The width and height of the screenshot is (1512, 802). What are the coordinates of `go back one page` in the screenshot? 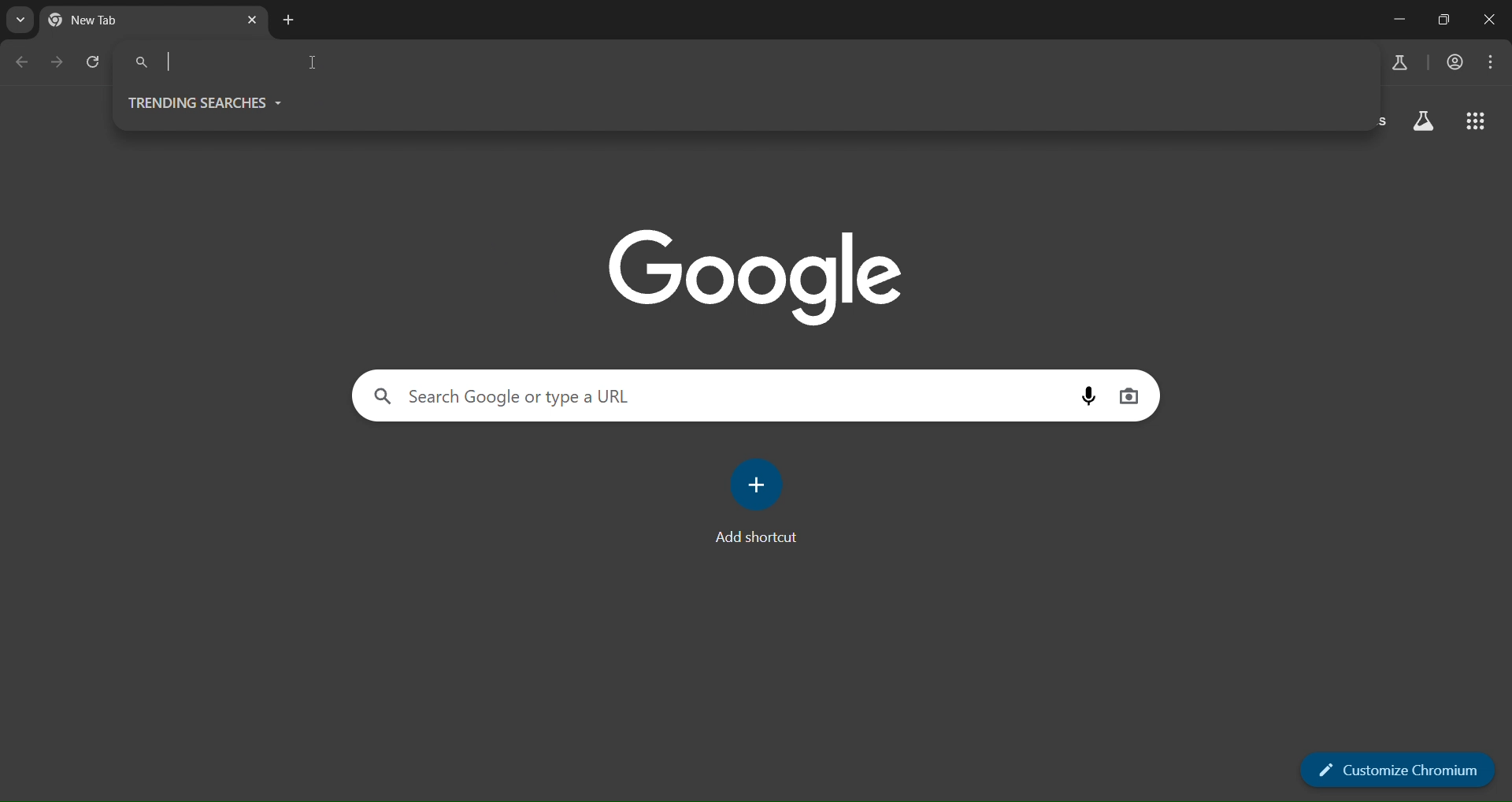 It's located at (21, 66).